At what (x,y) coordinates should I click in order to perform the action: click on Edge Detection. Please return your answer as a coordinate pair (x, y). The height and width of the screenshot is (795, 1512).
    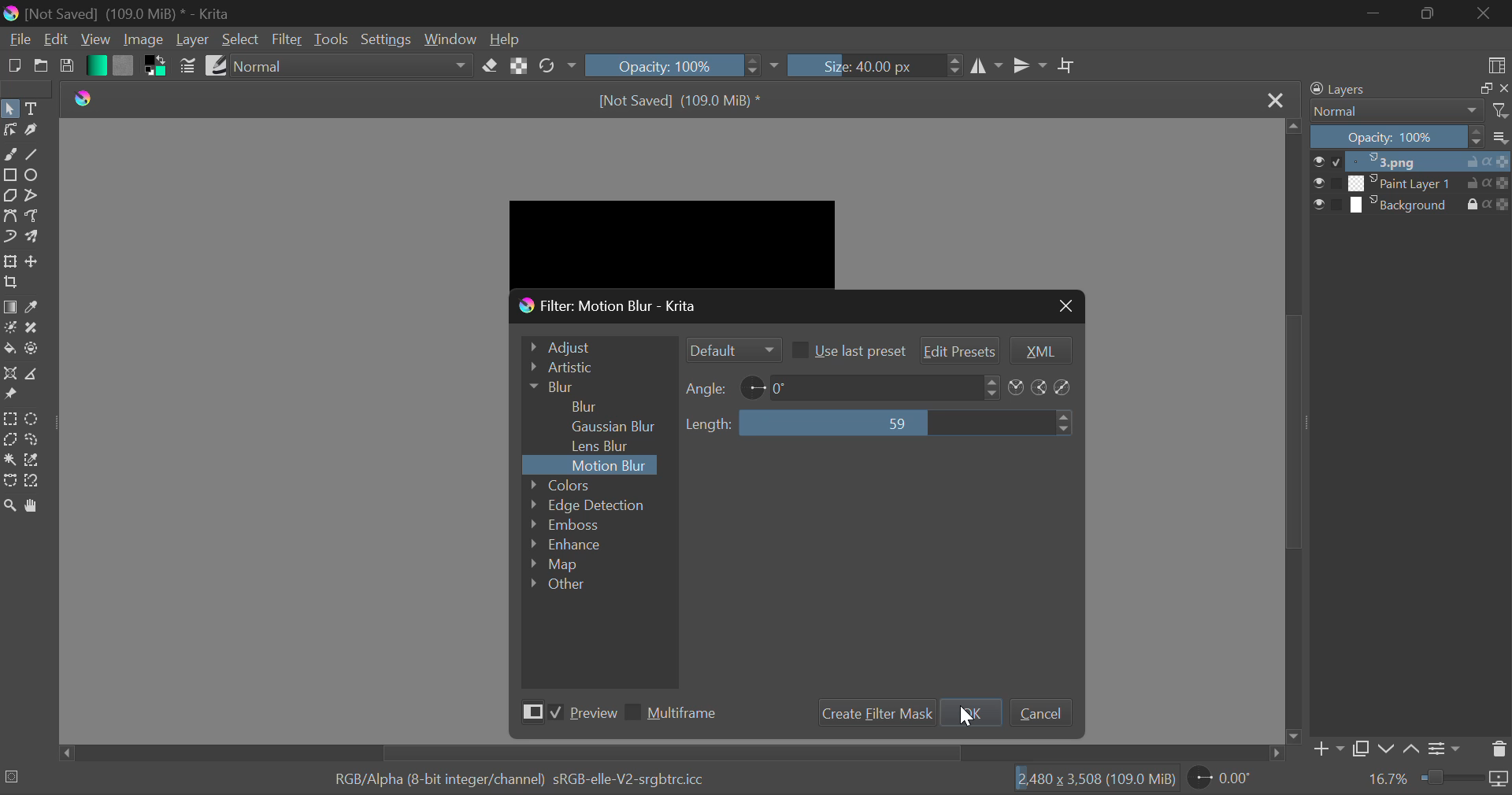
    Looking at the image, I should click on (589, 505).